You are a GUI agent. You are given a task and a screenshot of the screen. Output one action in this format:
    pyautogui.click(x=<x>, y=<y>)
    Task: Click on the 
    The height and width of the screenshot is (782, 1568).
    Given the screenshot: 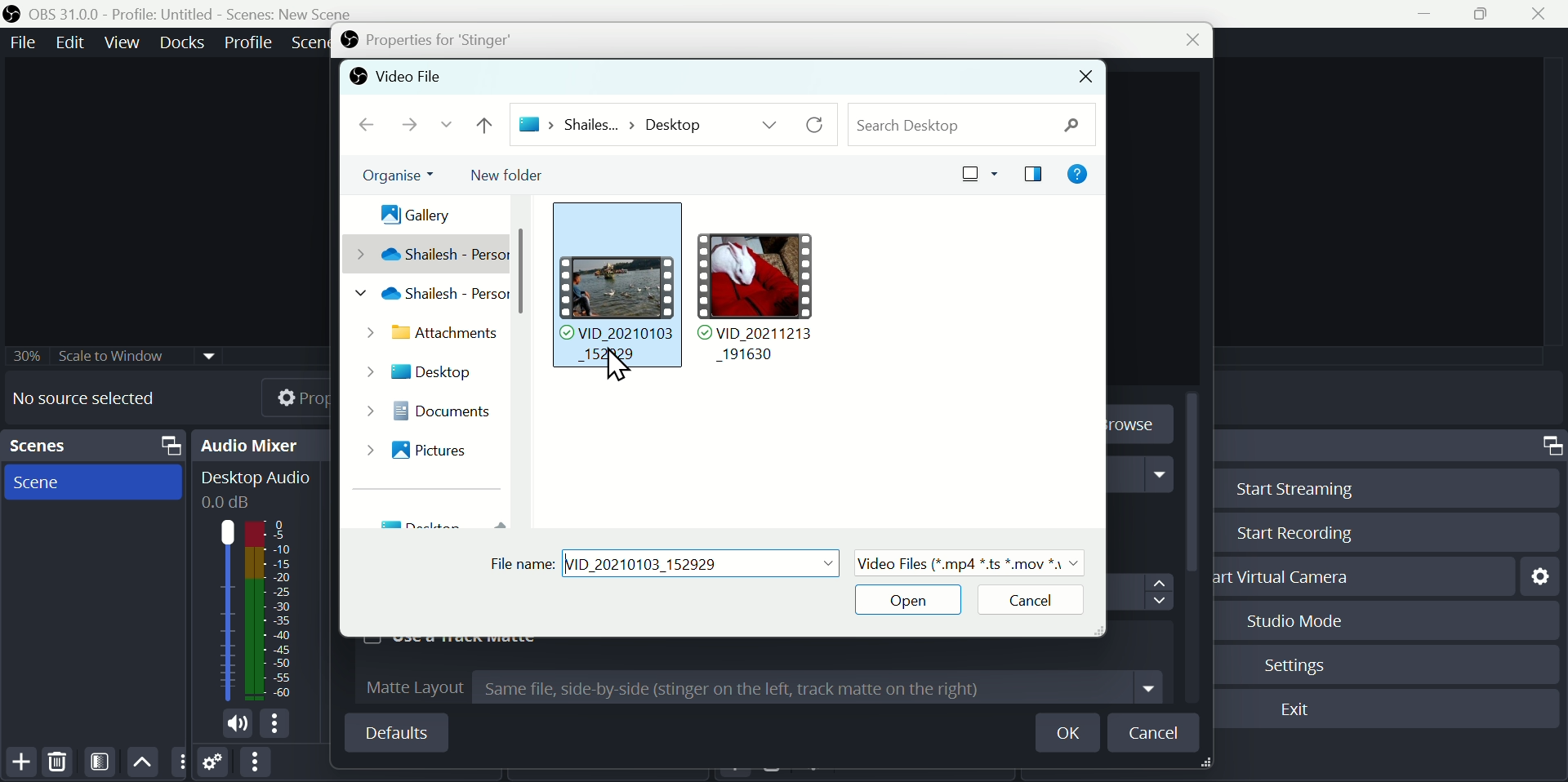 What is the action you would take?
    pyautogui.click(x=250, y=40)
    